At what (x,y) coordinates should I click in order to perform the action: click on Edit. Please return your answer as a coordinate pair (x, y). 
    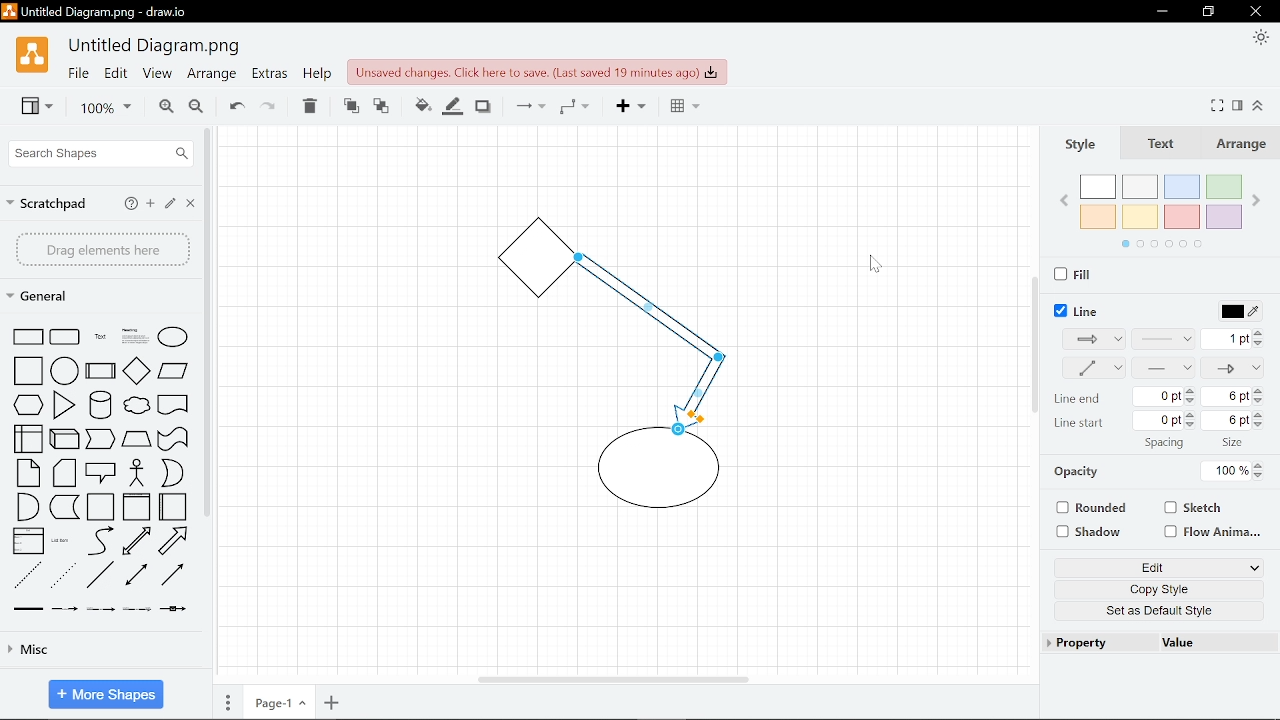
    Looking at the image, I should click on (116, 76).